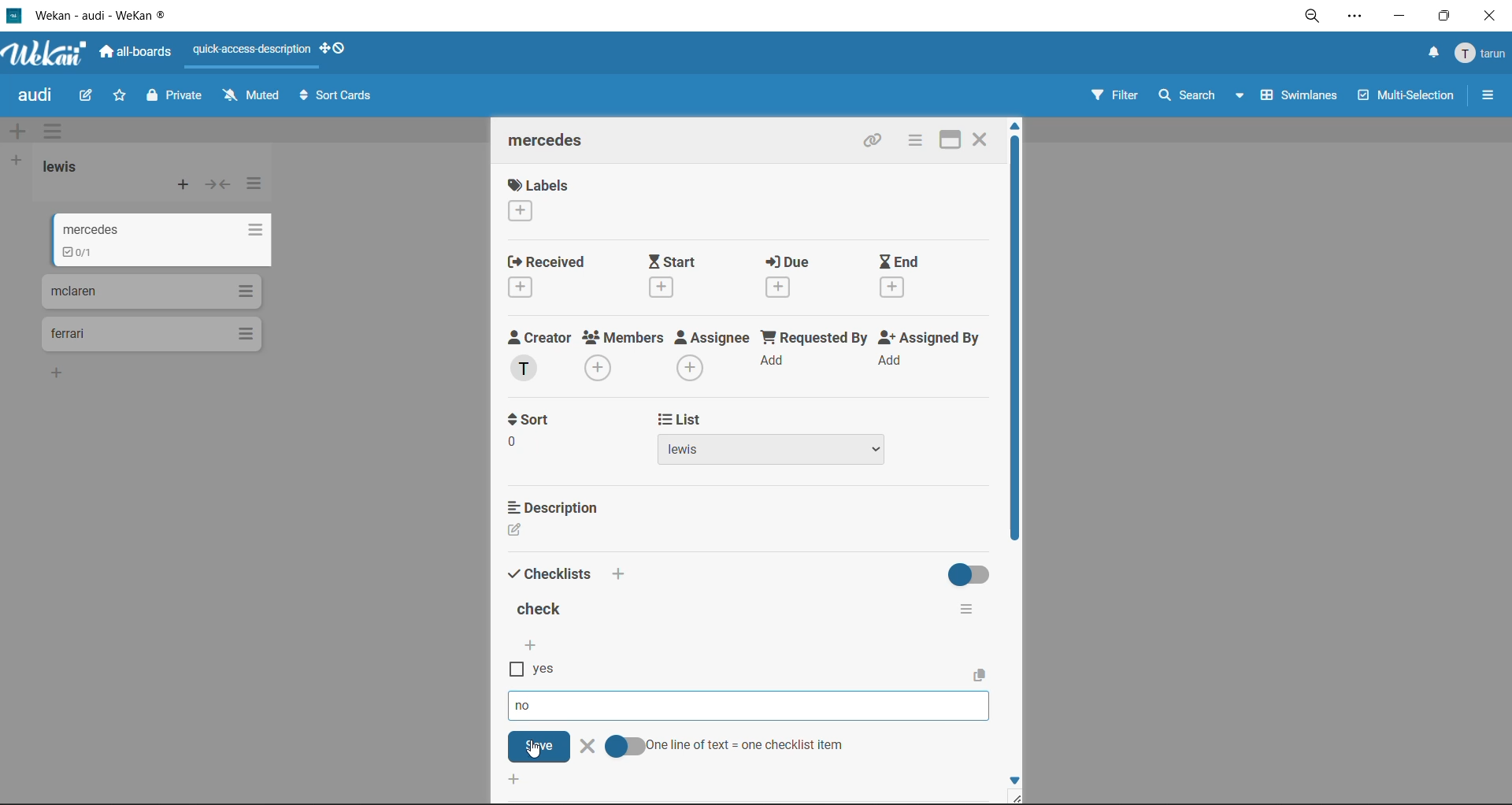 The height and width of the screenshot is (805, 1512). Describe the element at coordinates (548, 278) in the screenshot. I see `recieved` at that location.